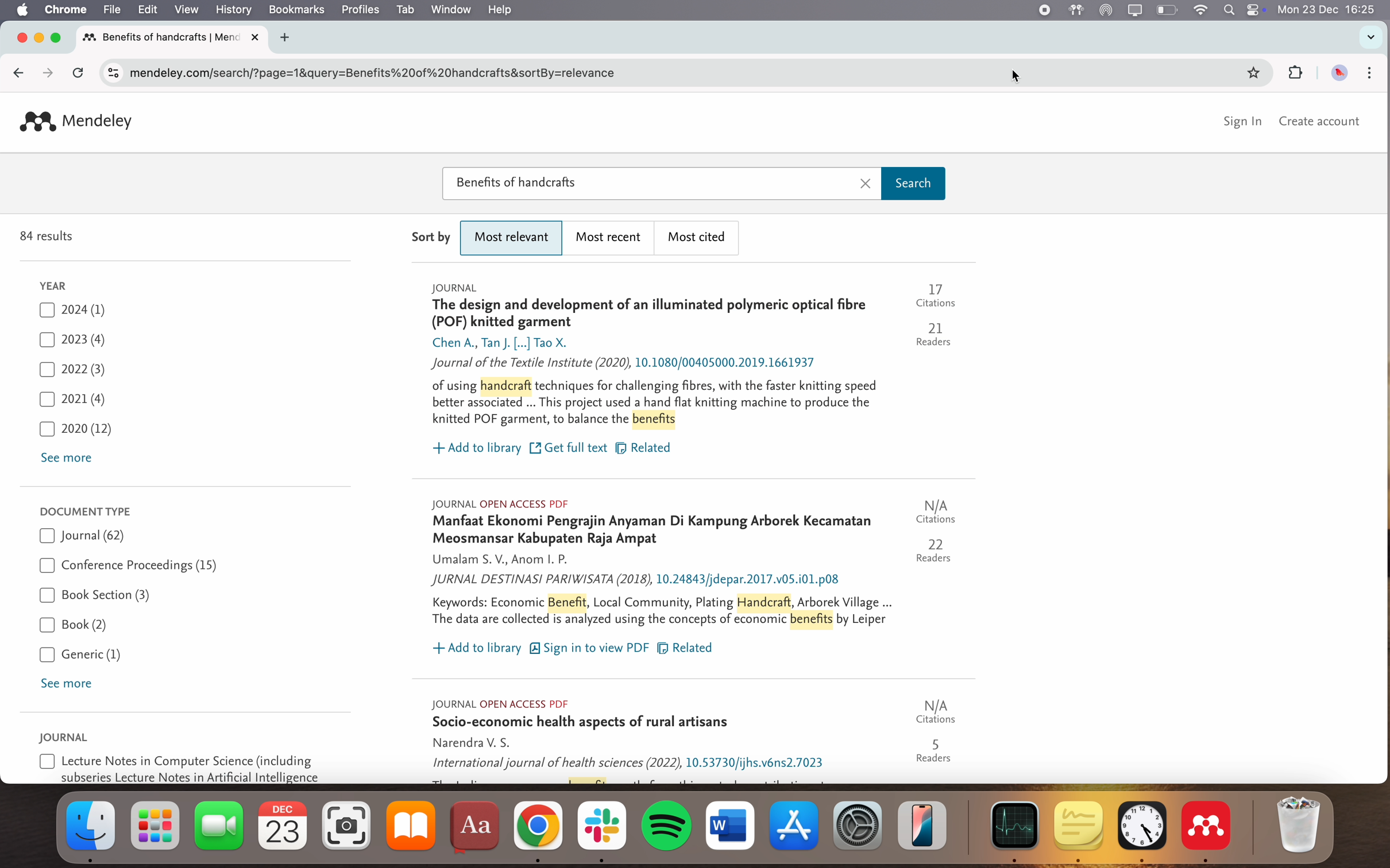 Image resolution: width=1390 pixels, height=868 pixels. I want to click on article, so click(693, 579).